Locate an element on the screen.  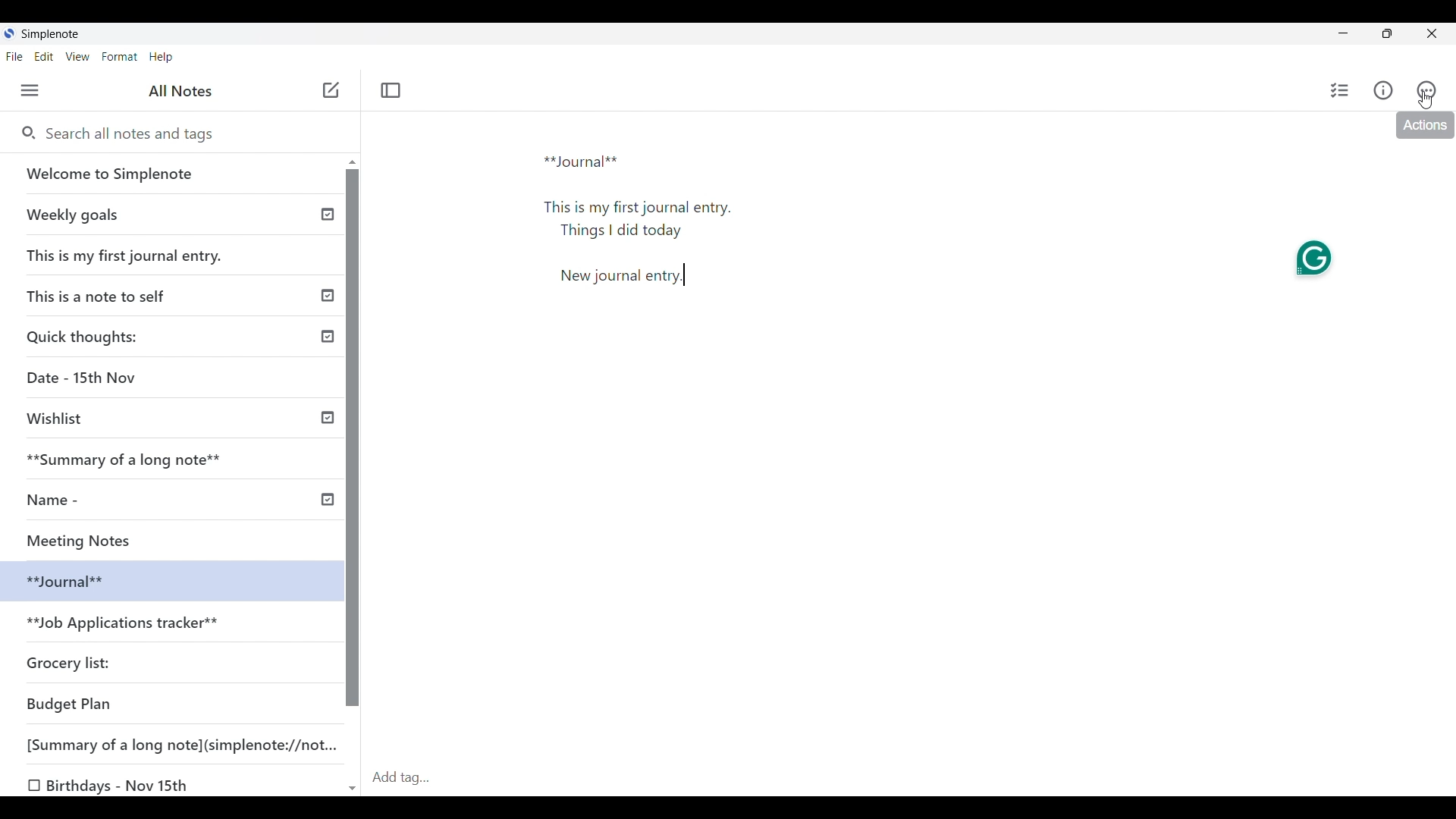
View menu is located at coordinates (78, 57).